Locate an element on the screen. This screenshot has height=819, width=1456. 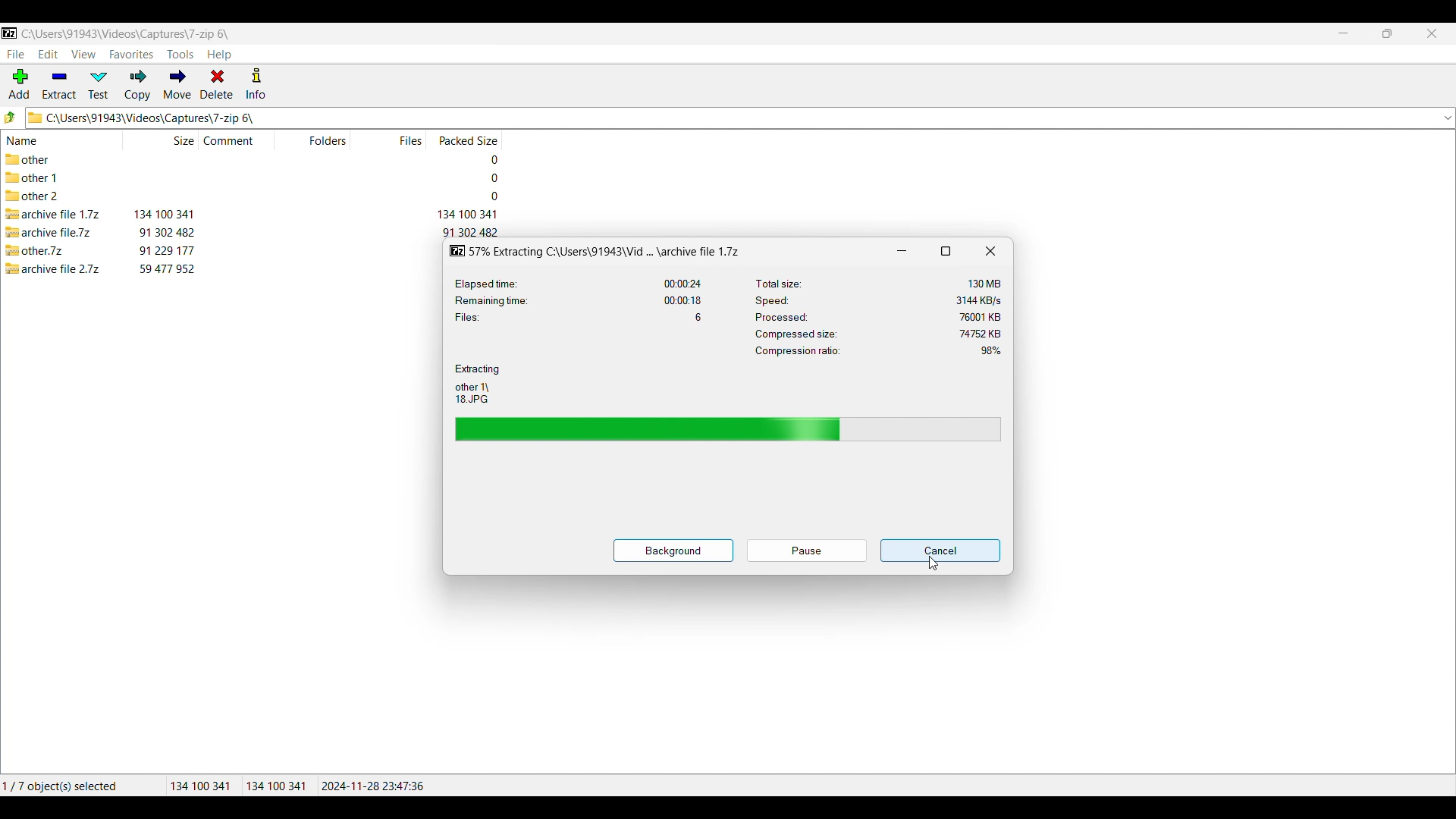
View menu is located at coordinates (84, 55).